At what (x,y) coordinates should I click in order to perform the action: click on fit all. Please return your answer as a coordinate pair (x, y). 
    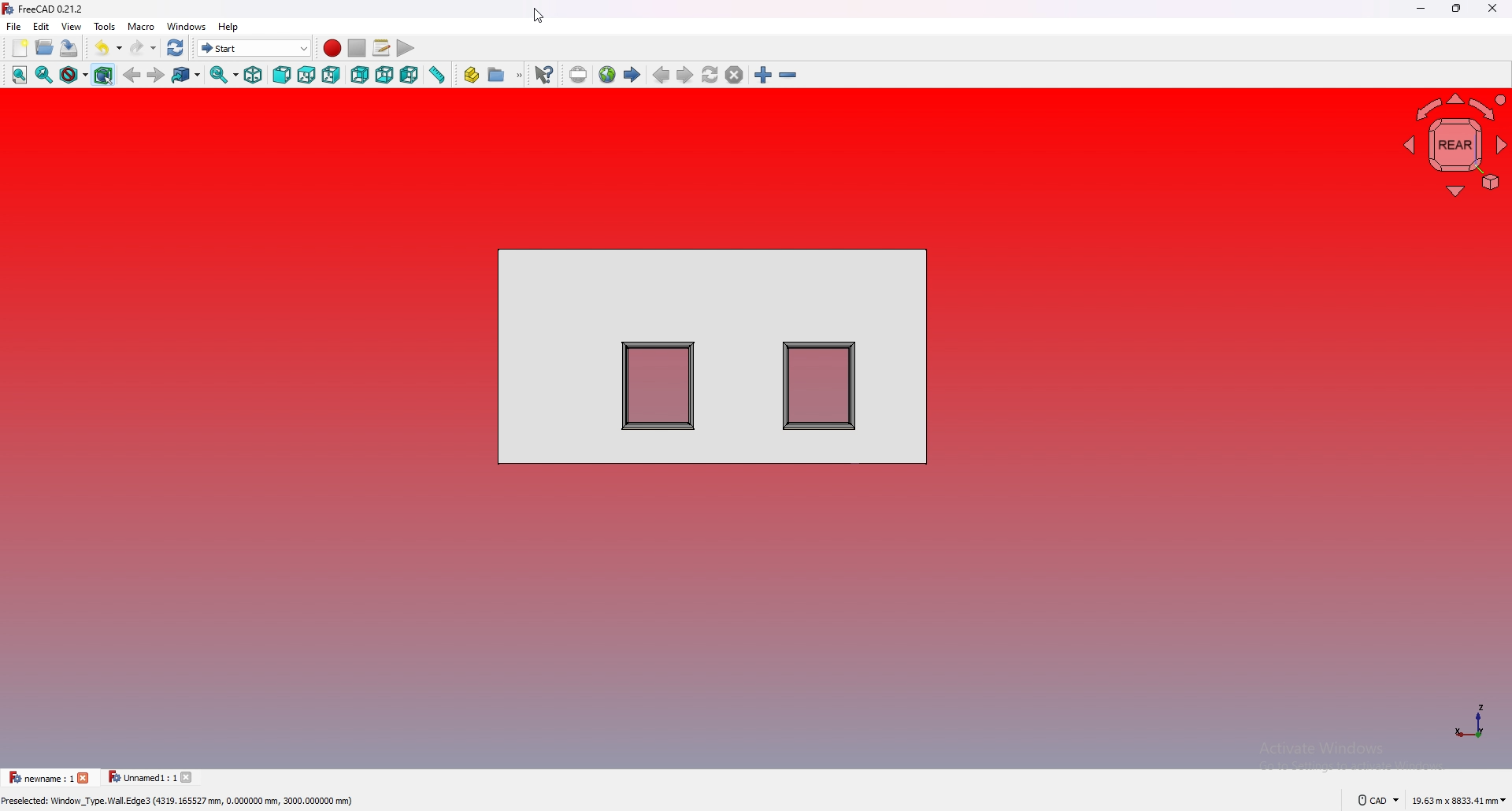
    Looking at the image, I should click on (20, 75).